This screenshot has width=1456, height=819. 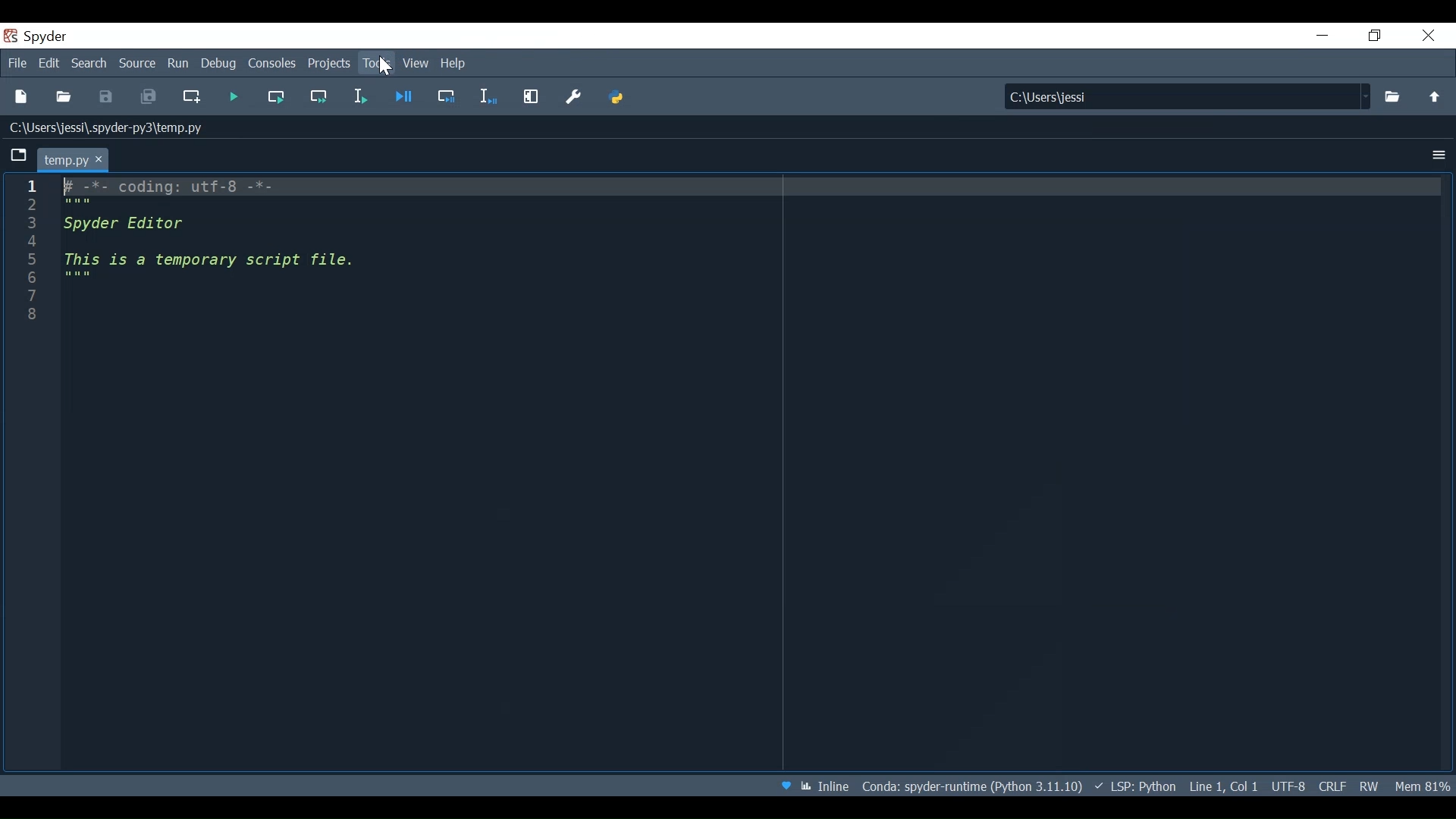 What do you see at coordinates (403, 98) in the screenshot?
I see `Debug file` at bounding box center [403, 98].